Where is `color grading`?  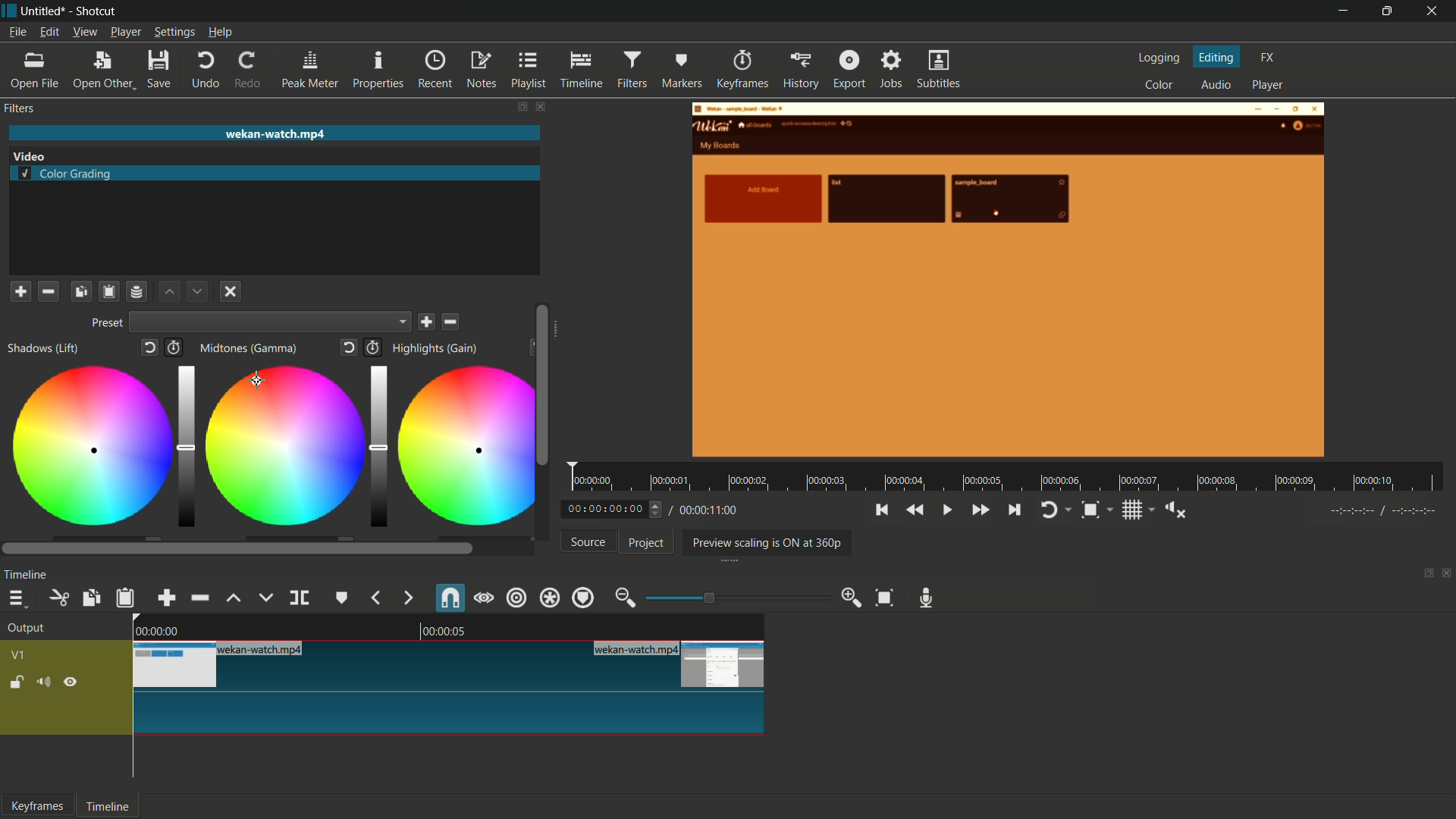 color grading is located at coordinates (29, 155).